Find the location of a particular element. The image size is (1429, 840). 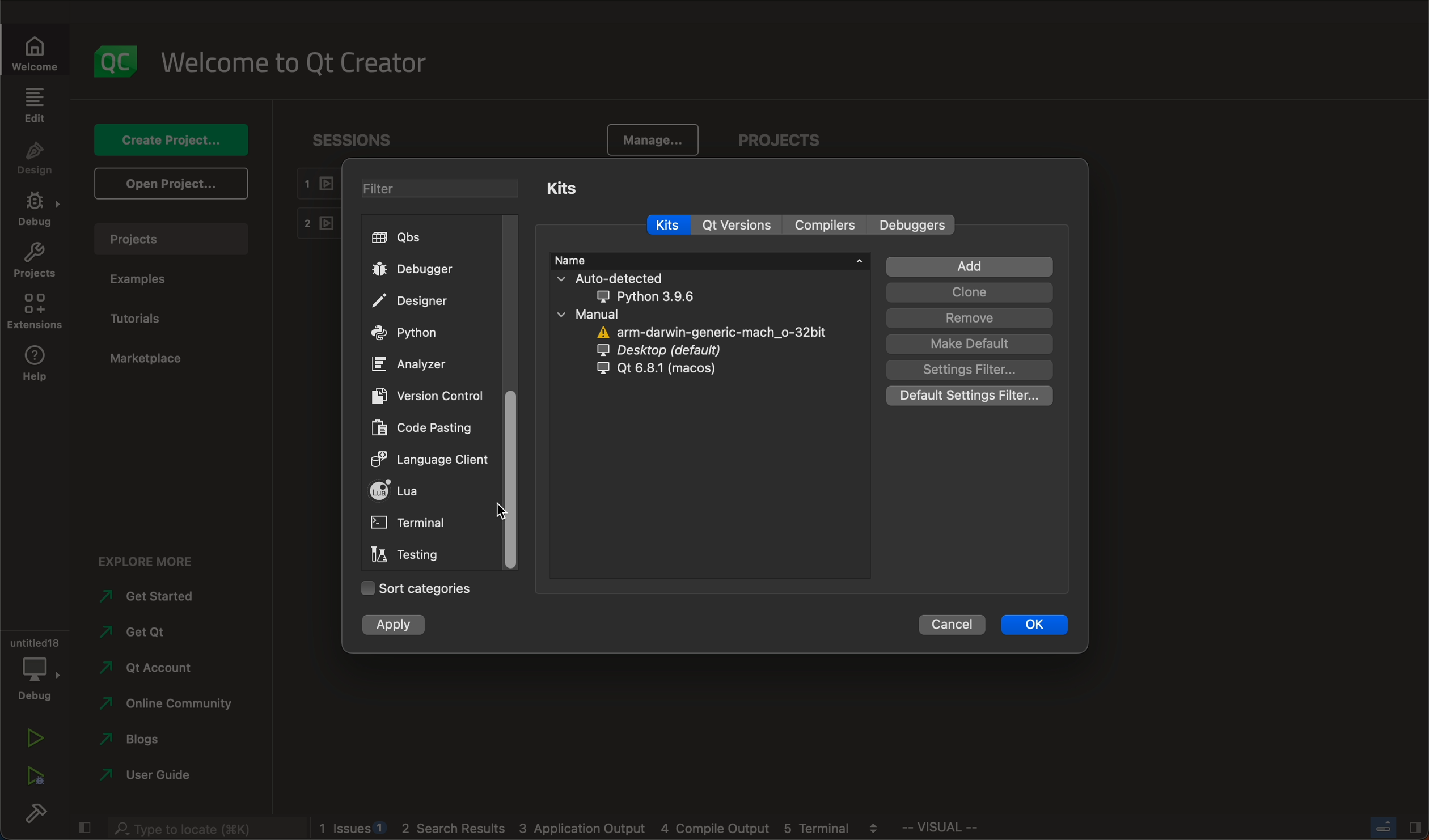

guide is located at coordinates (151, 773).